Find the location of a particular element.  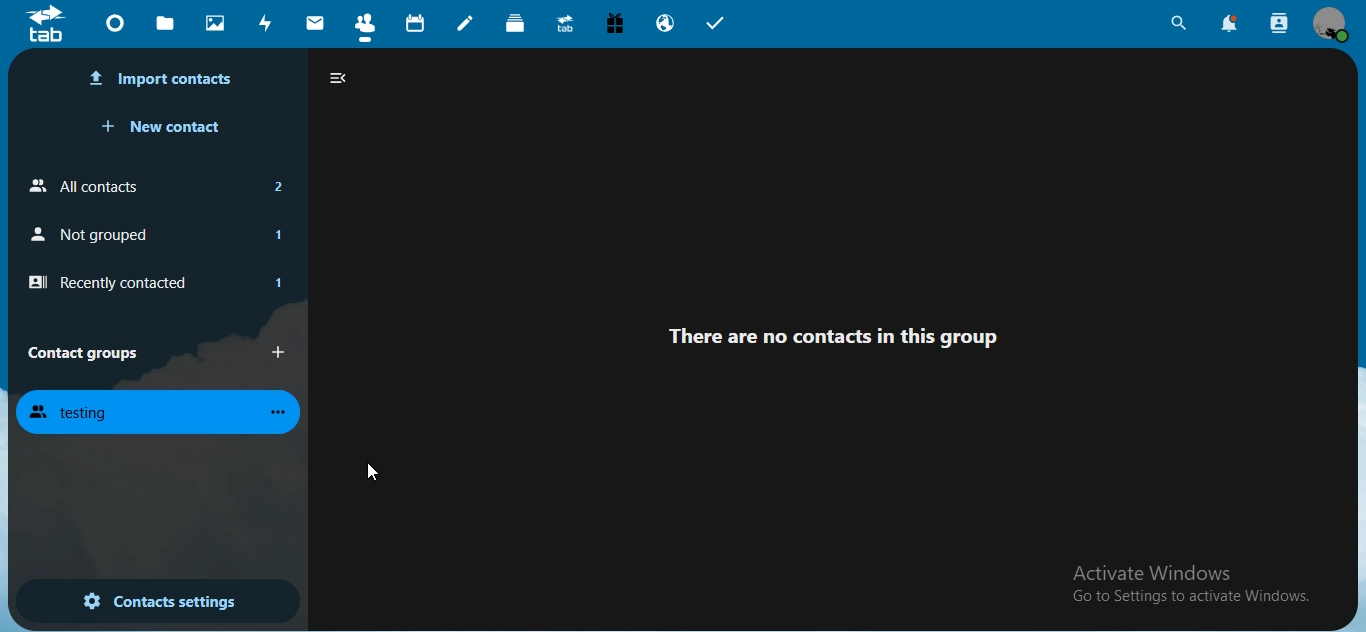

notification is located at coordinates (1231, 24).